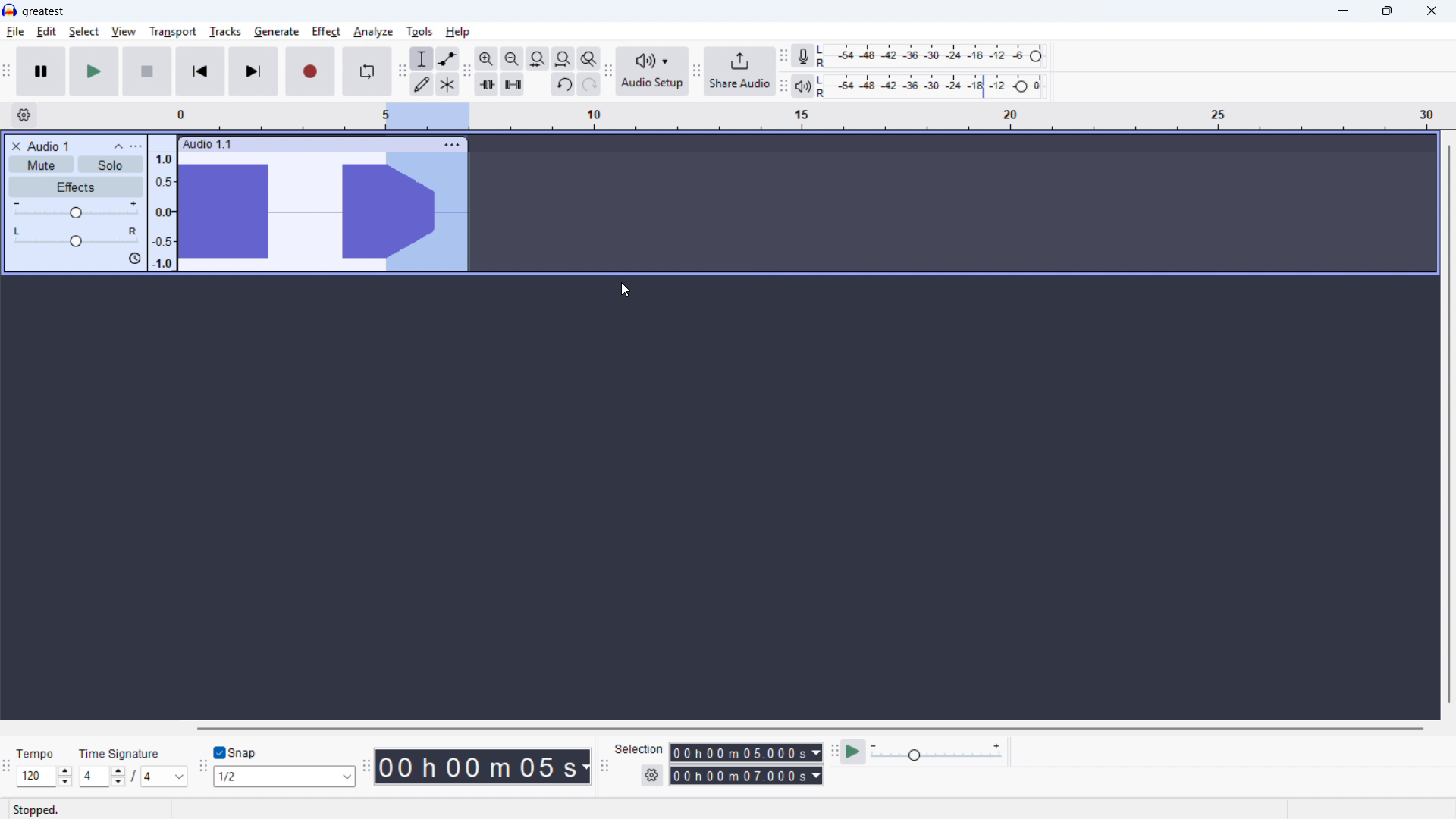  What do you see at coordinates (588, 84) in the screenshot?
I see `Redo ` at bounding box center [588, 84].